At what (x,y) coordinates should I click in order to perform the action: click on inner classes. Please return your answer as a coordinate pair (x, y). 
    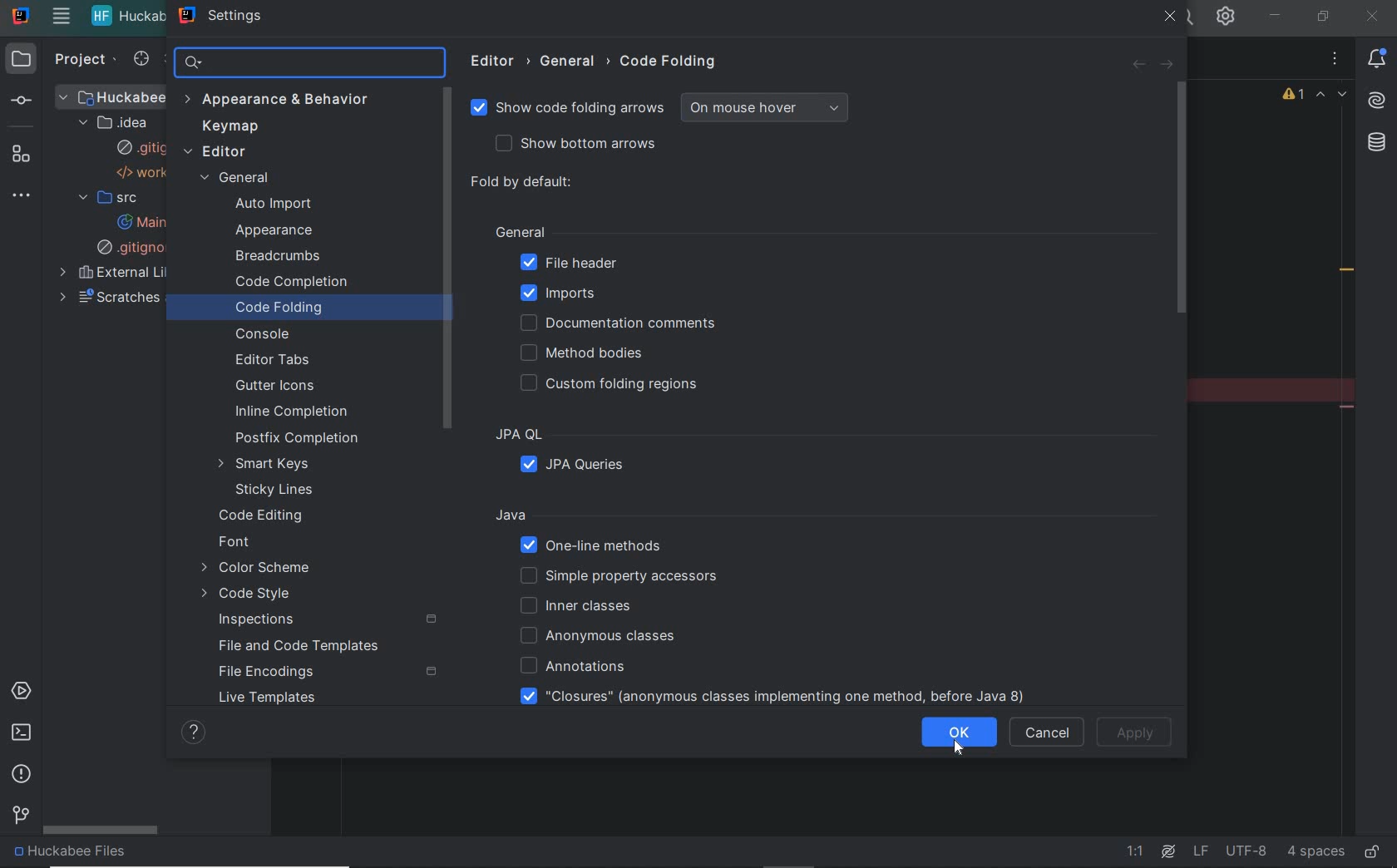
    Looking at the image, I should click on (580, 605).